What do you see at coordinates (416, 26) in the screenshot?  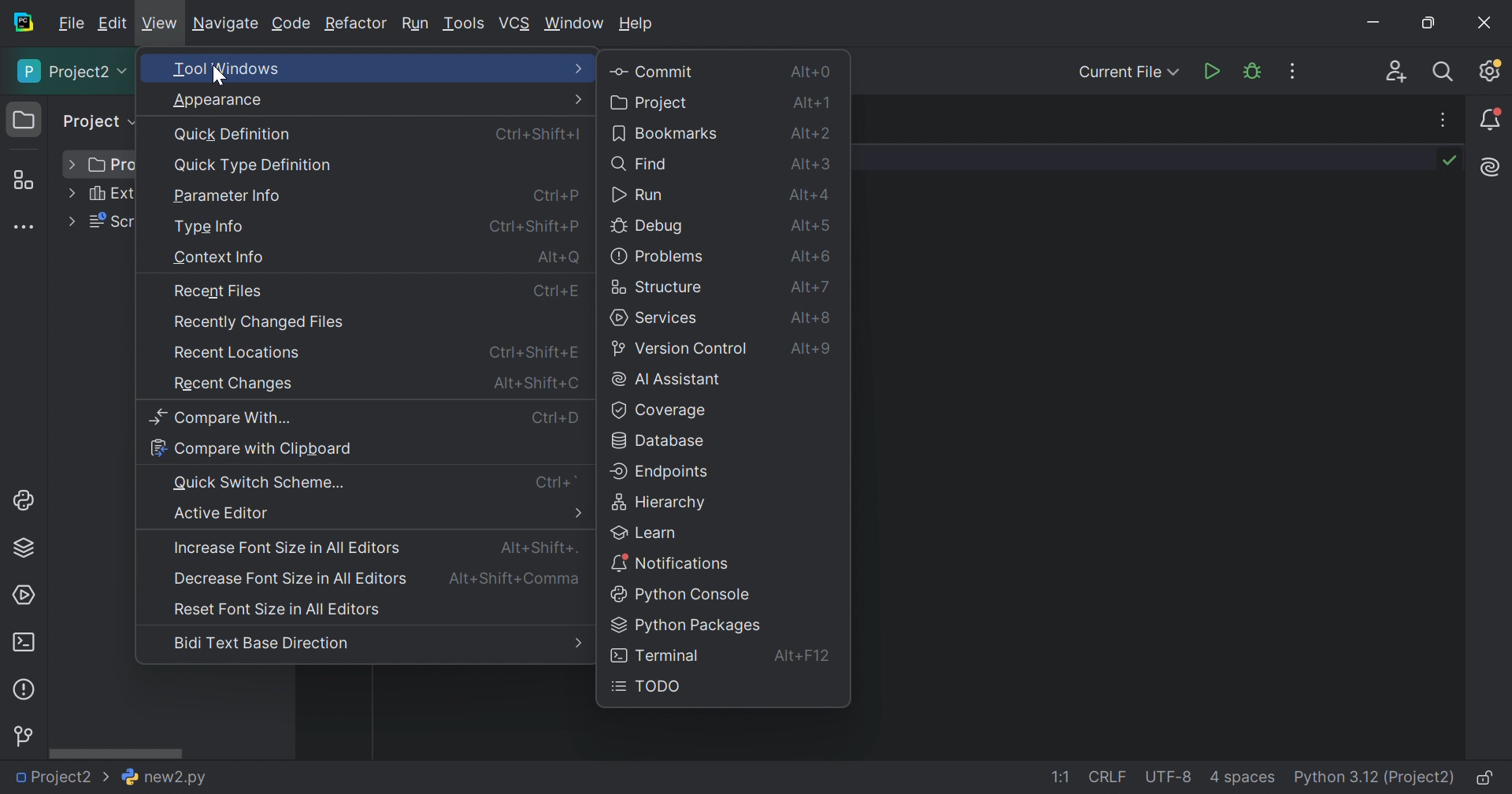 I see `Run` at bounding box center [416, 26].